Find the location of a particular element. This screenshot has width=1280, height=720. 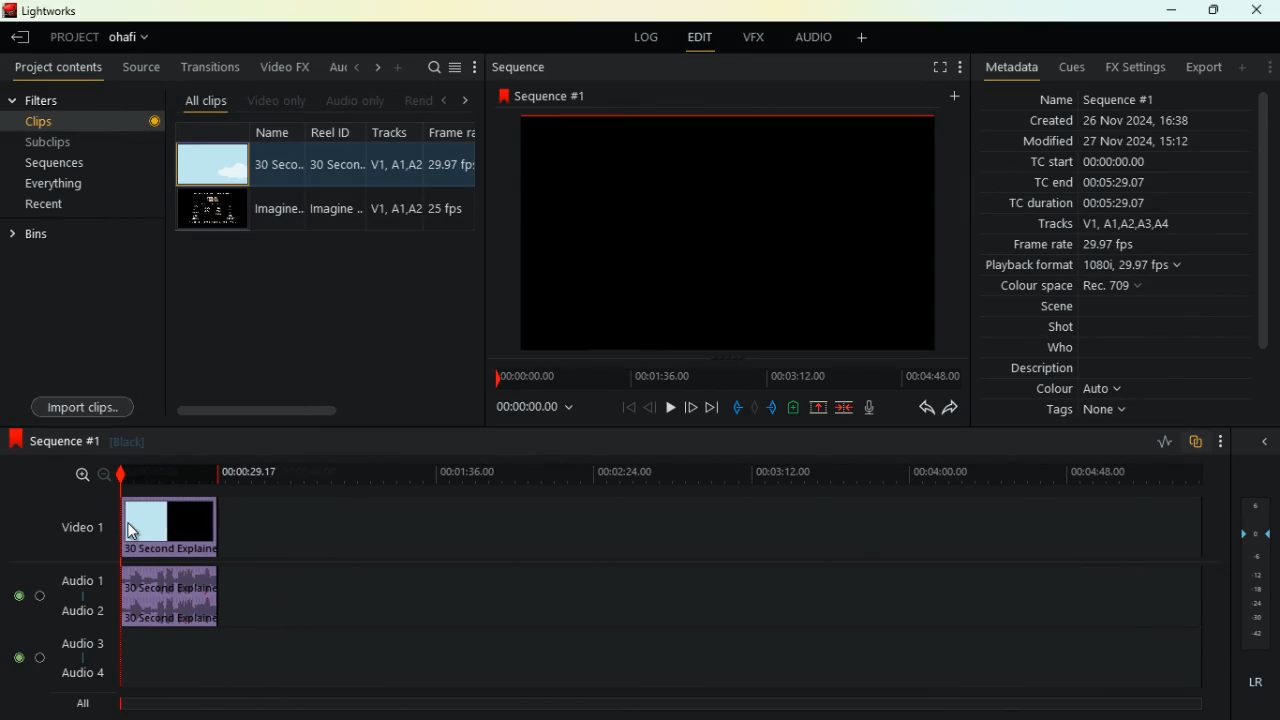

project contents is located at coordinates (59, 67).